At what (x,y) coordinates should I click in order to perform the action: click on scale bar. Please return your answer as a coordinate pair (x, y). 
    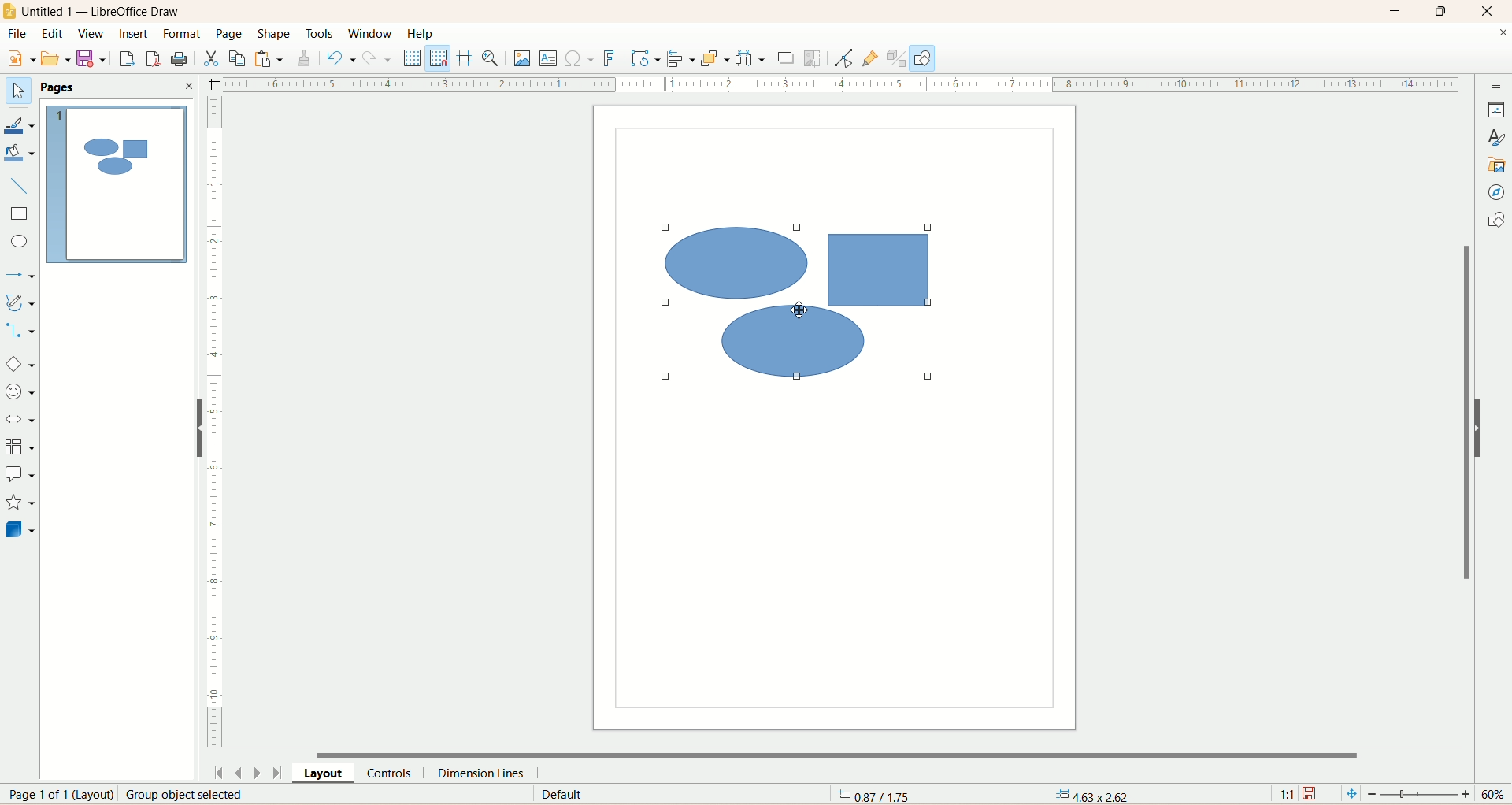
    Looking at the image, I should click on (838, 83).